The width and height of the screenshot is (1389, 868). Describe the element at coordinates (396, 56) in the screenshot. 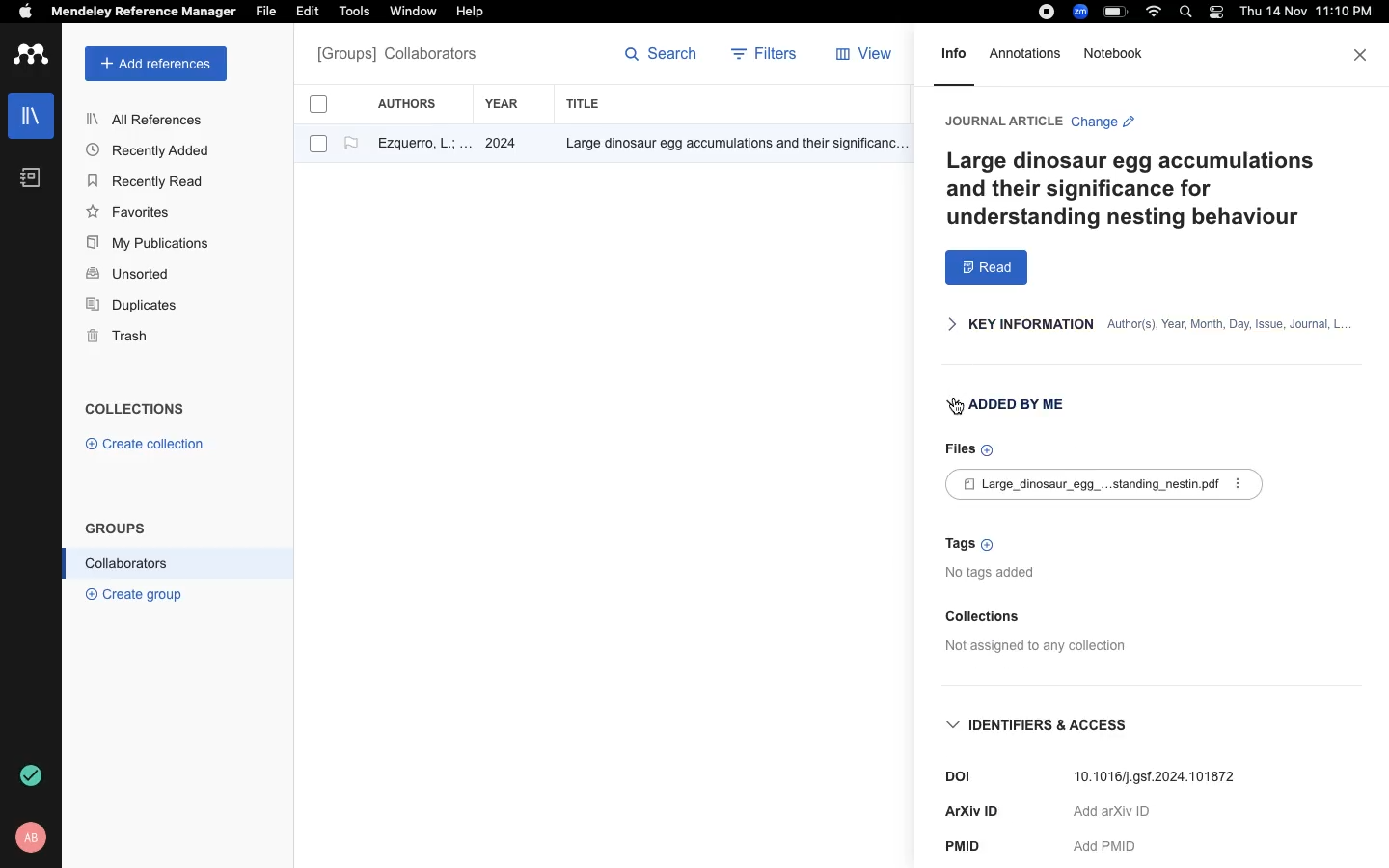

I see `All references` at that location.